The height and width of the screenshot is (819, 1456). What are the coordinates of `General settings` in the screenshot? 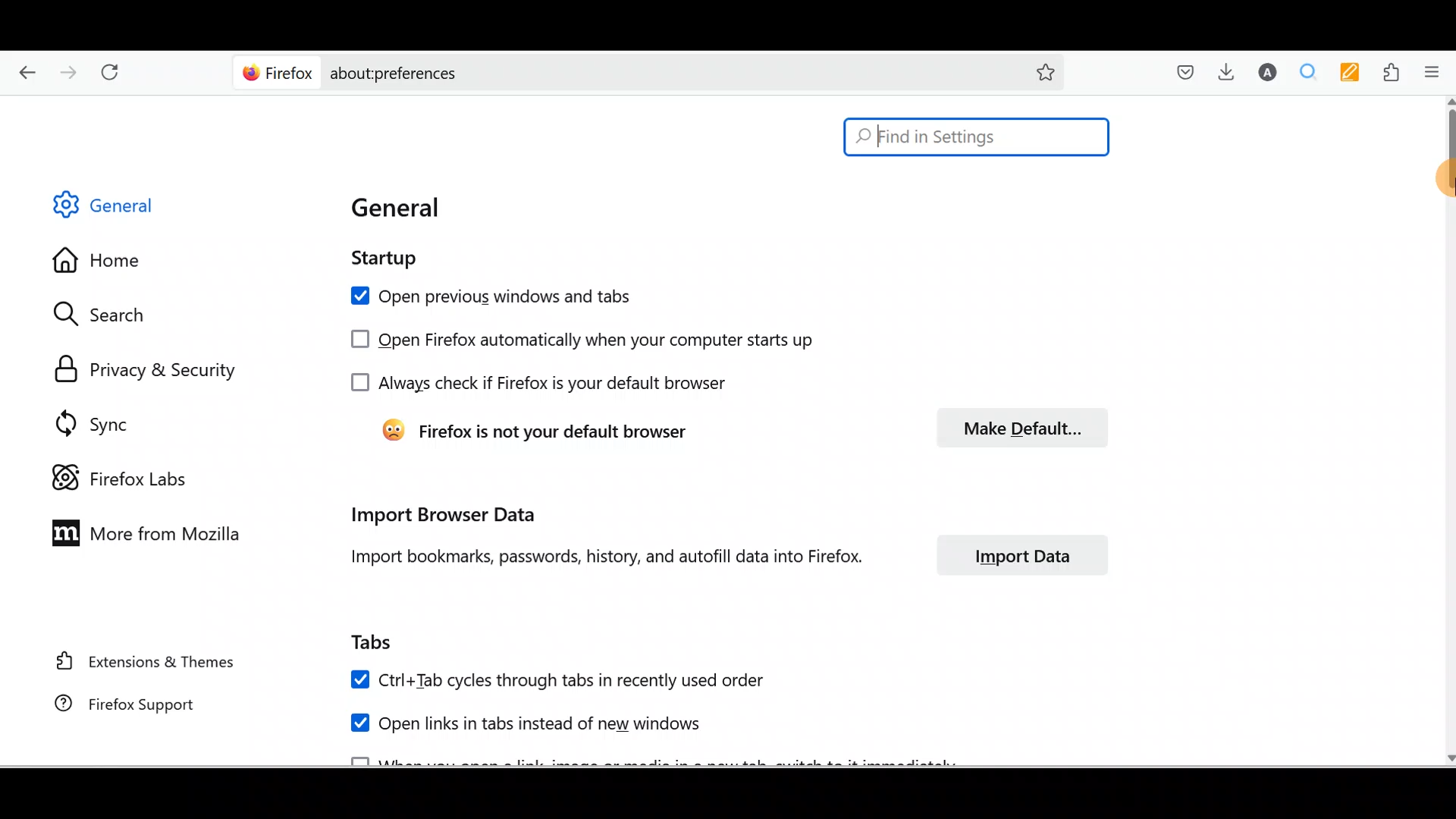 It's located at (117, 209).